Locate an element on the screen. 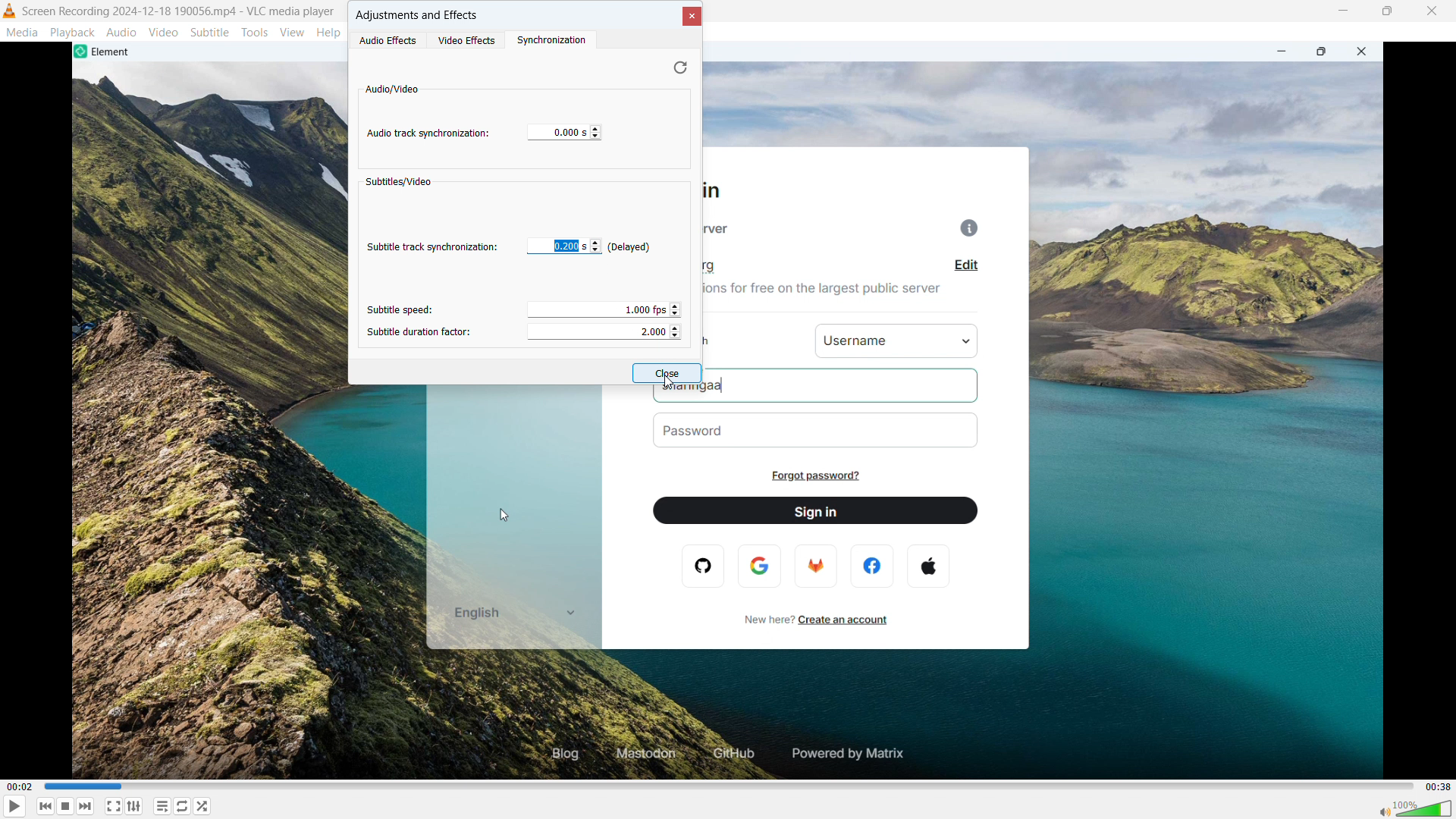  audio track synchronization is located at coordinates (429, 134).